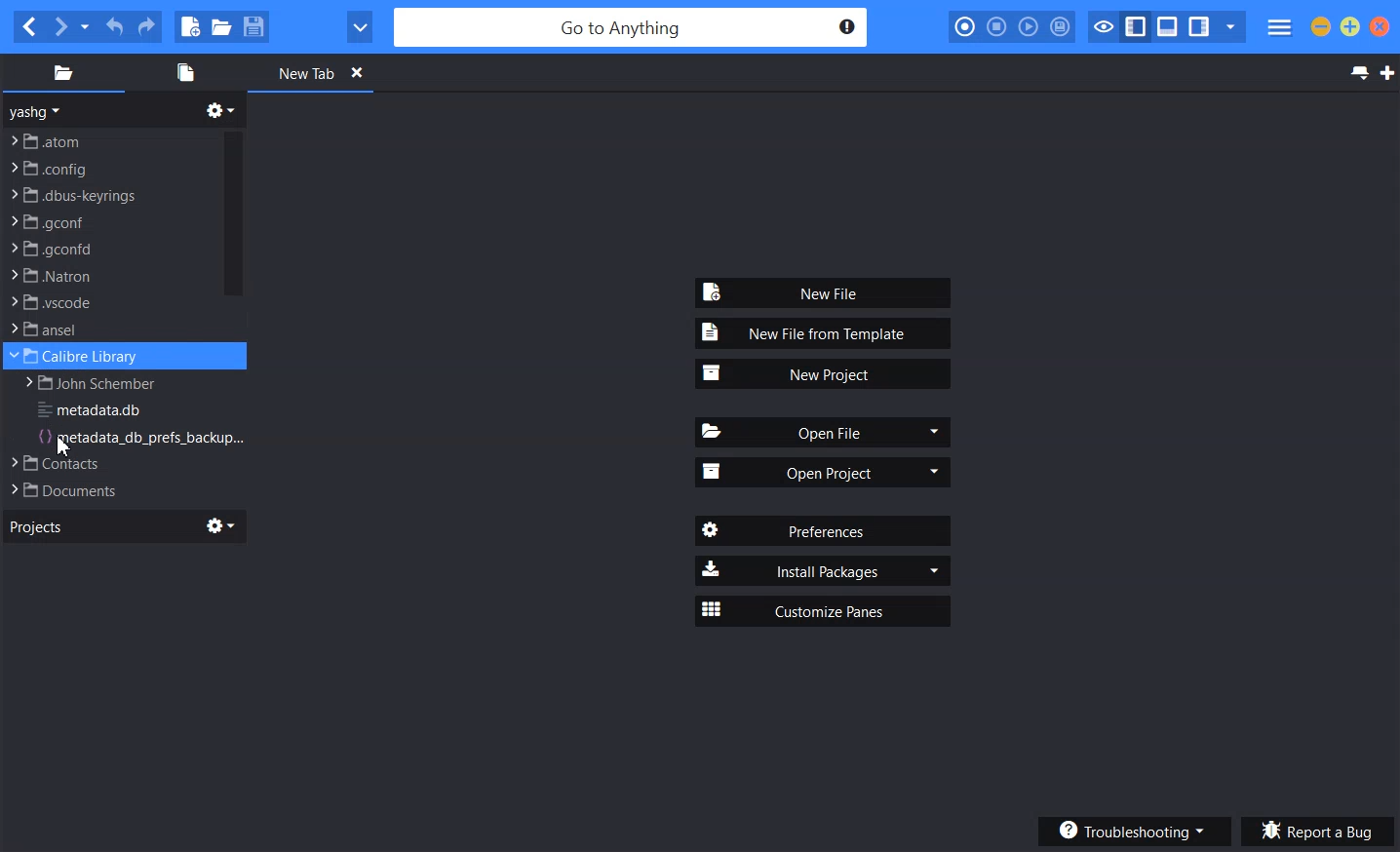 This screenshot has height=852, width=1400. I want to click on Stop recording macro, so click(996, 27).